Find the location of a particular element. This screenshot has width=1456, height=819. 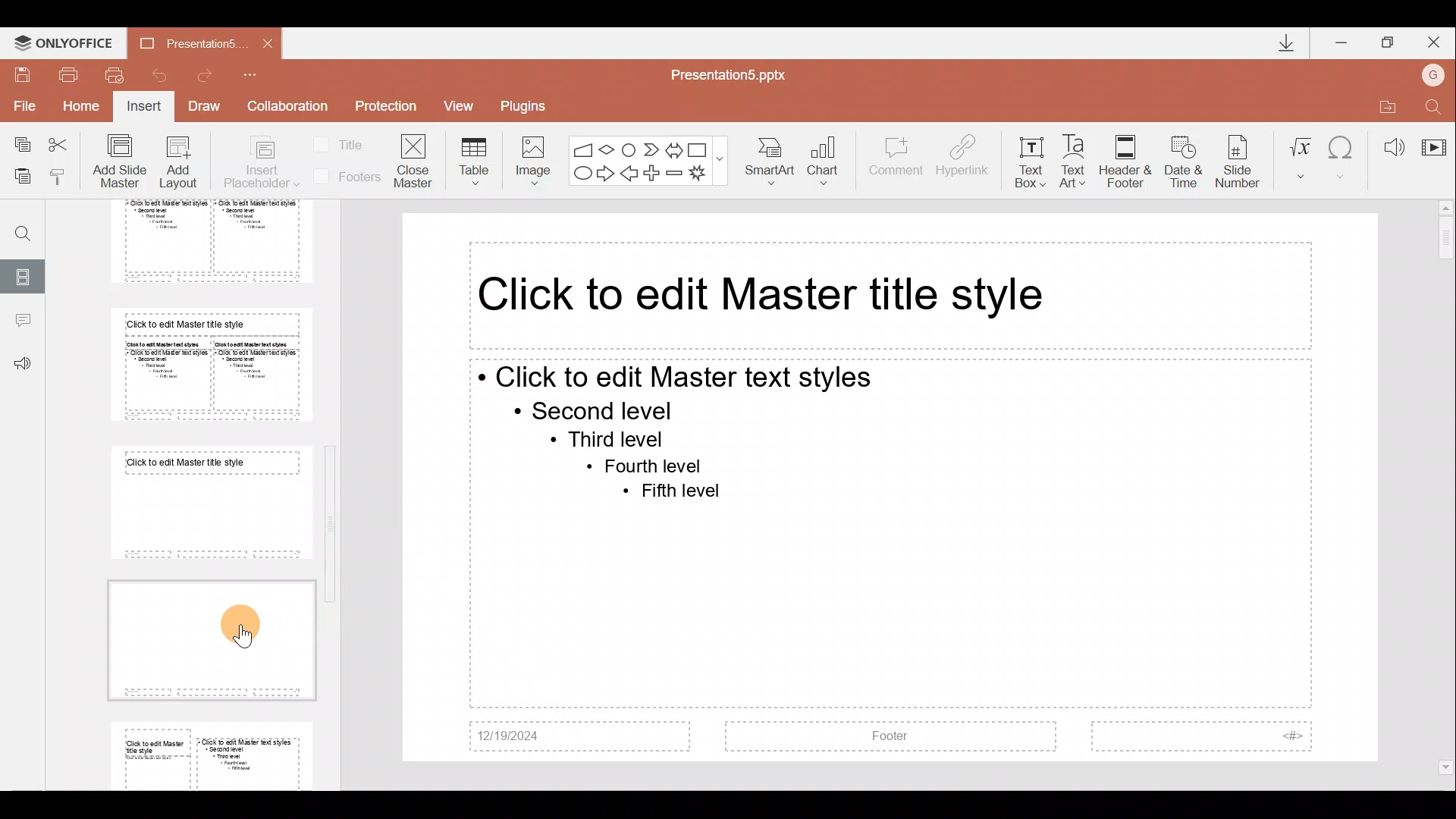

Chevron is located at coordinates (649, 148).